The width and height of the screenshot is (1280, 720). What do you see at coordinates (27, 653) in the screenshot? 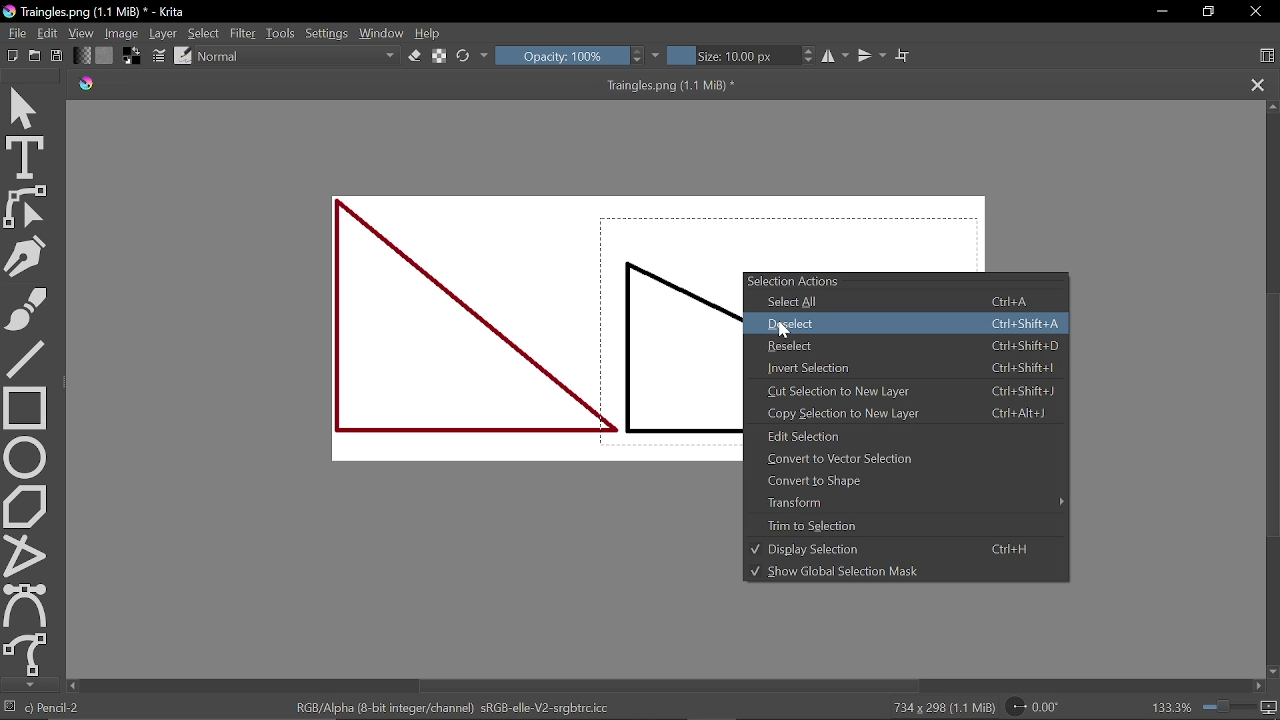
I see `Freehand path tool` at bounding box center [27, 653].